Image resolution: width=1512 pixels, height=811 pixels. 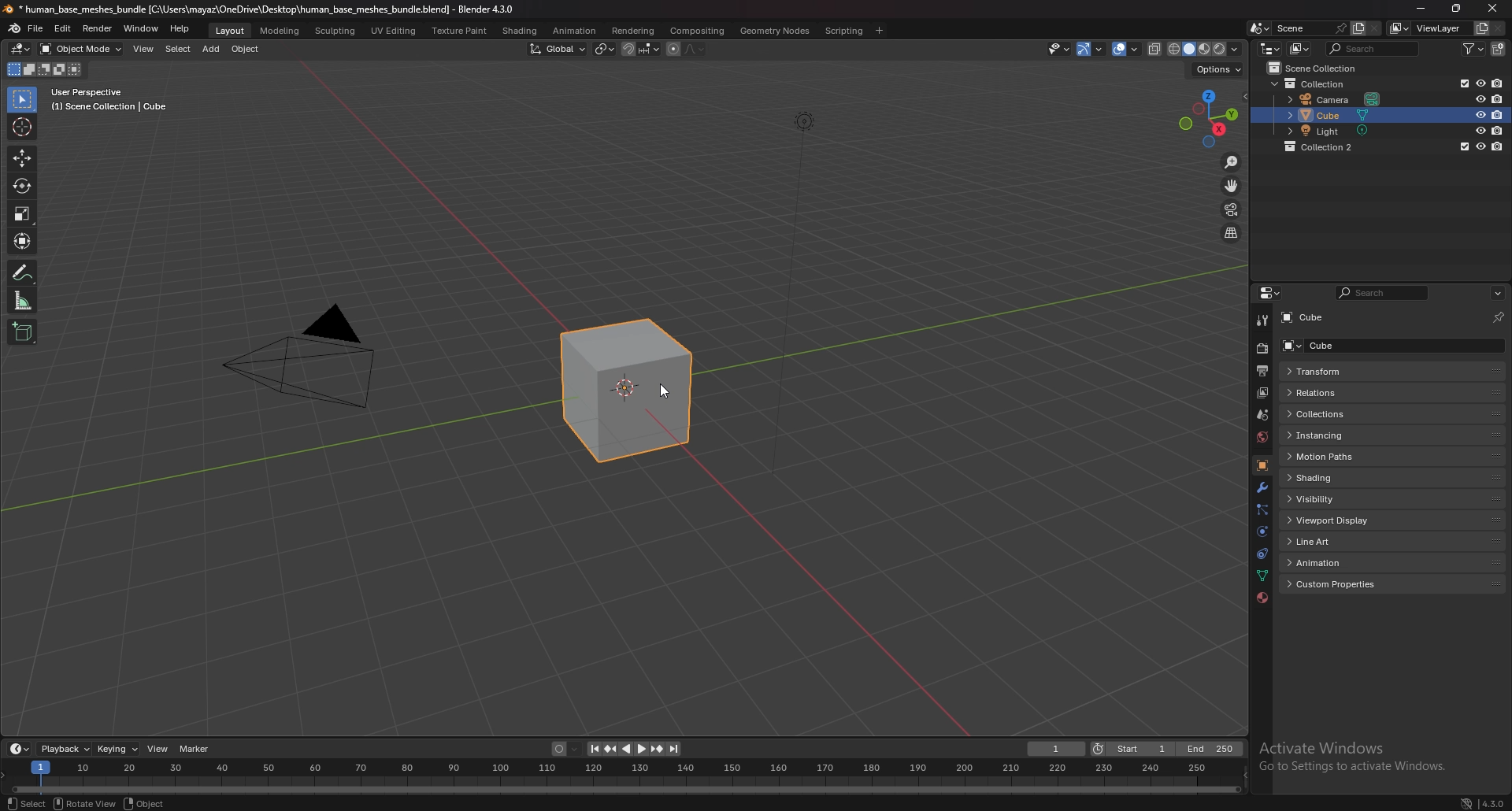 What do you see at coordinates (1262, 510) in the screenshot?
I see `particles` at bounding box center [1262, 510].